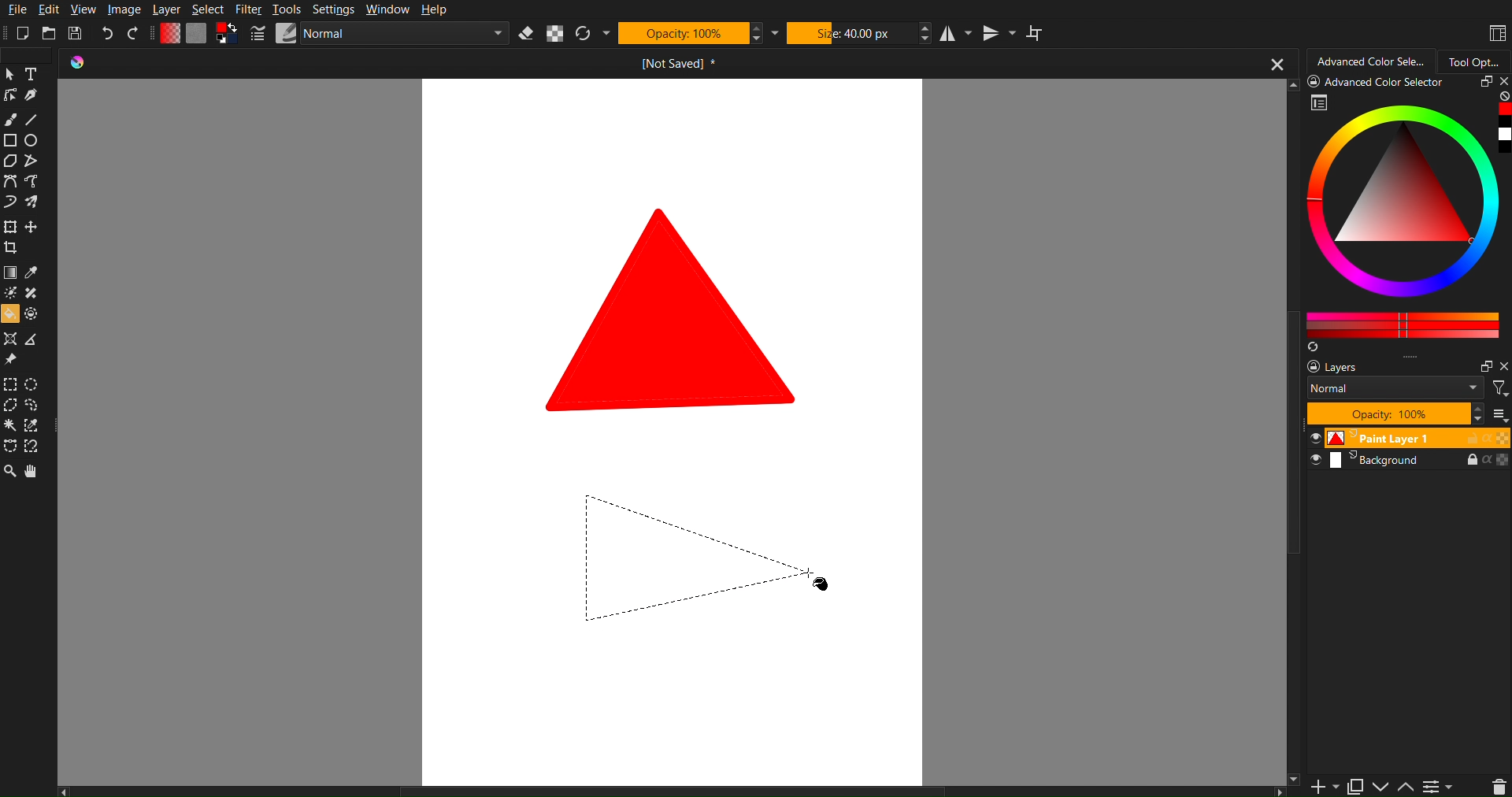 The image size is (1512, 797). I want to click on Zoom, so click(9, 473).